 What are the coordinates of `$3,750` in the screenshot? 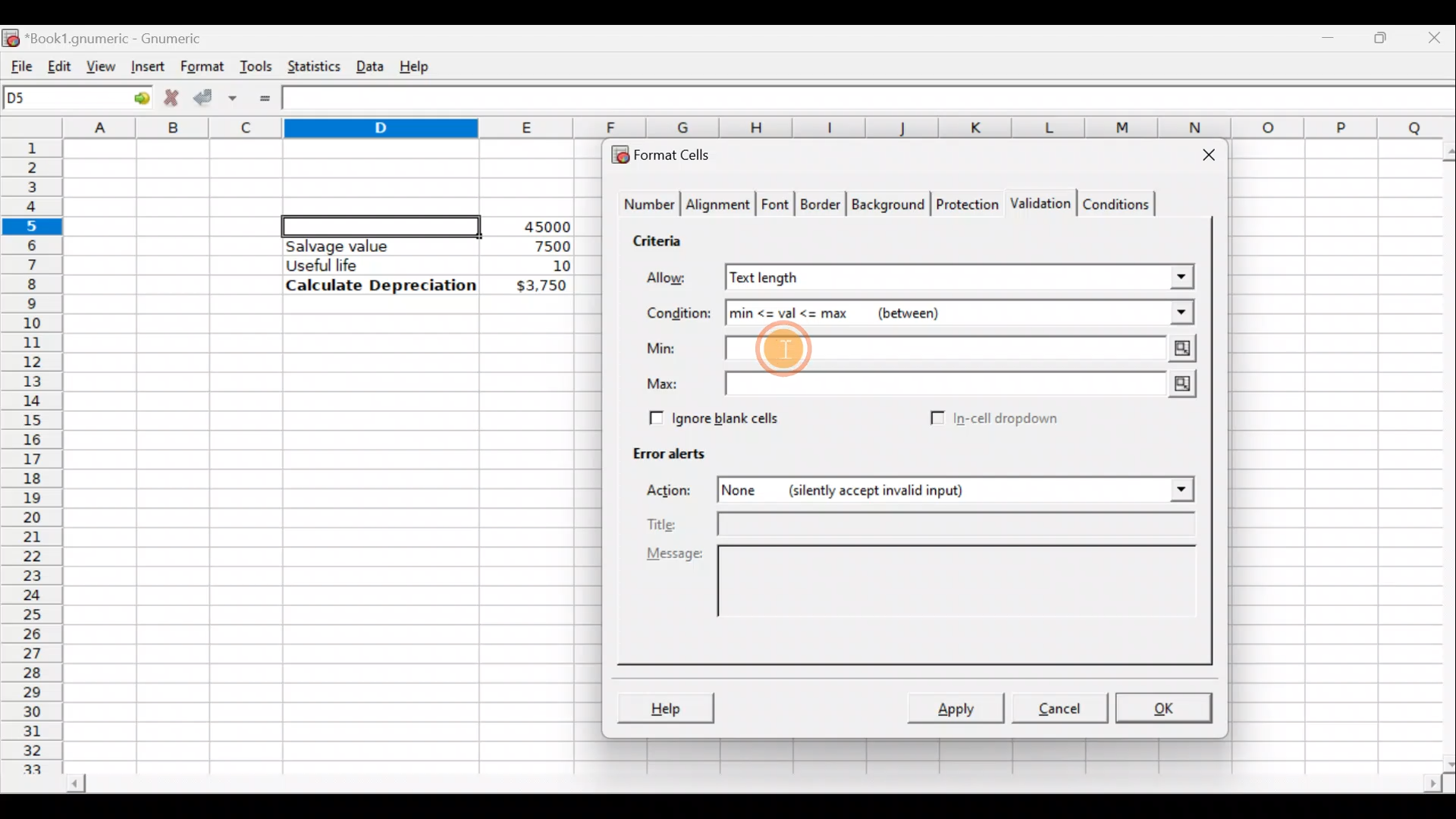 It's located at (540, 287).